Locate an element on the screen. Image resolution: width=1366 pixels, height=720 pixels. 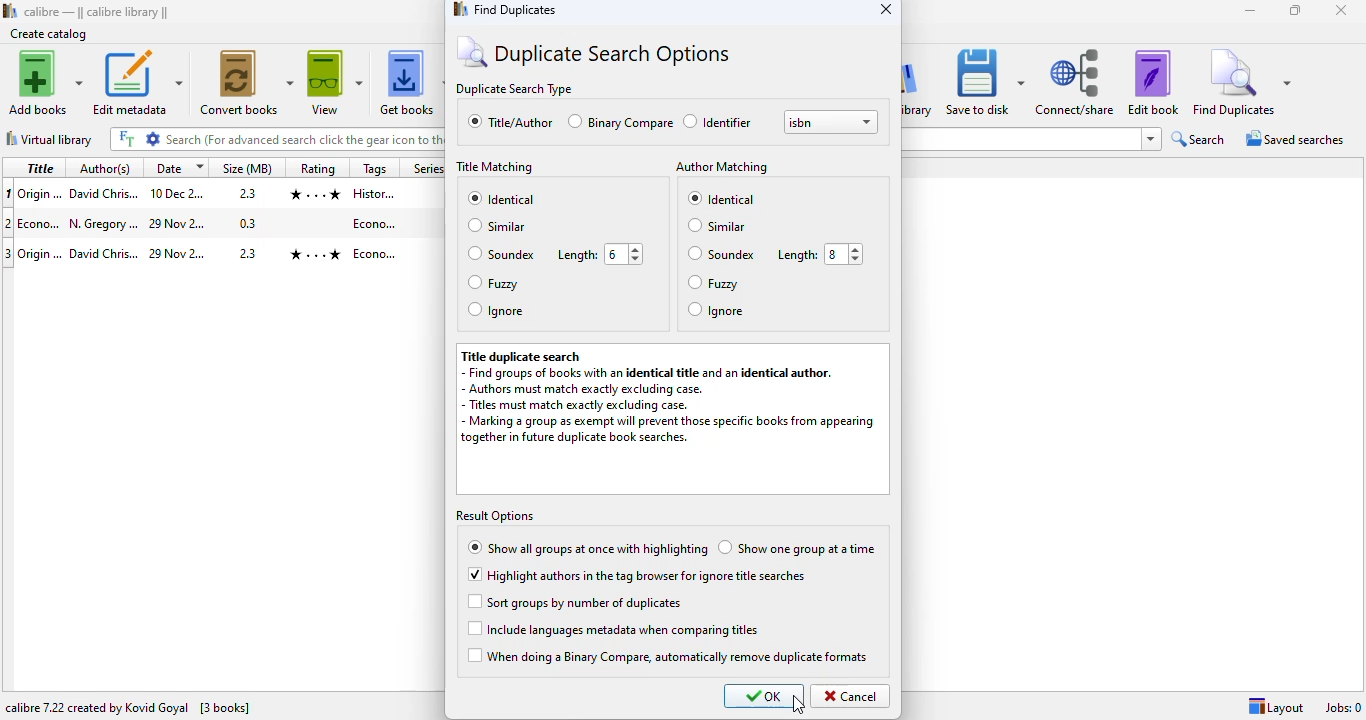
soundex is located at coordinates (500, 254).